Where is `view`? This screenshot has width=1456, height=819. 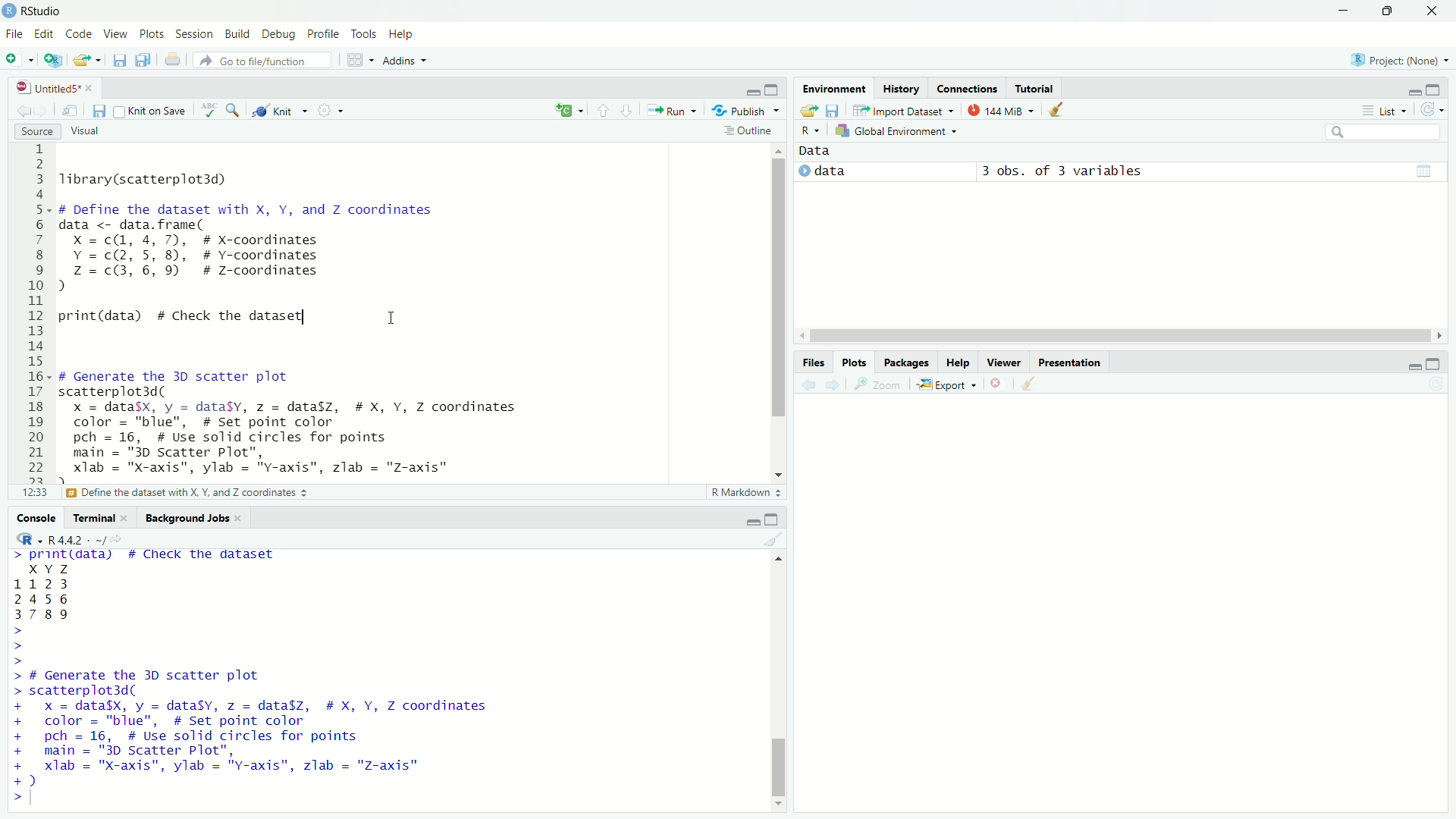
view is located at coordinates (118, 37).